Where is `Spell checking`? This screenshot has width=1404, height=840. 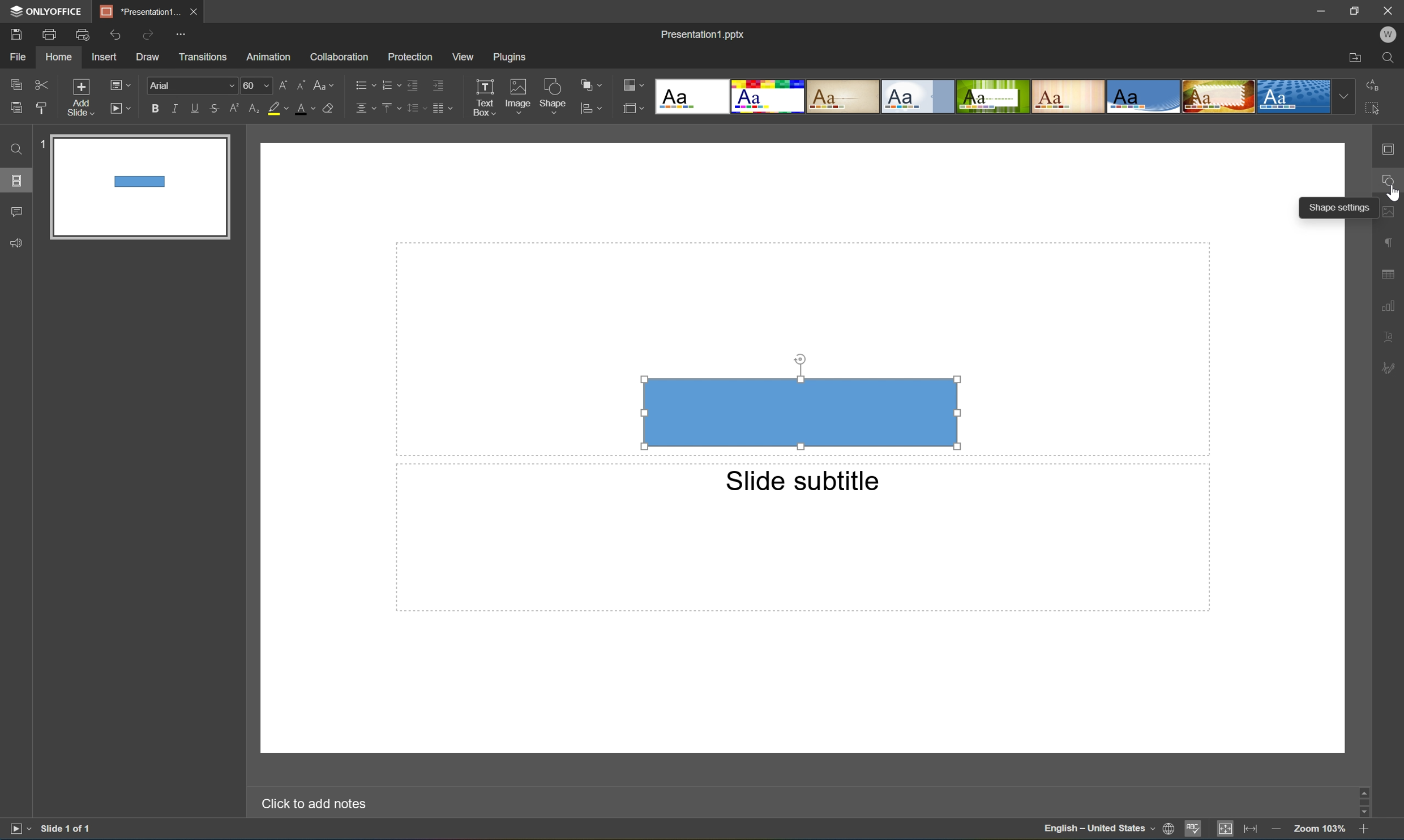 Spell checking is located at coordinates (1191, 832).